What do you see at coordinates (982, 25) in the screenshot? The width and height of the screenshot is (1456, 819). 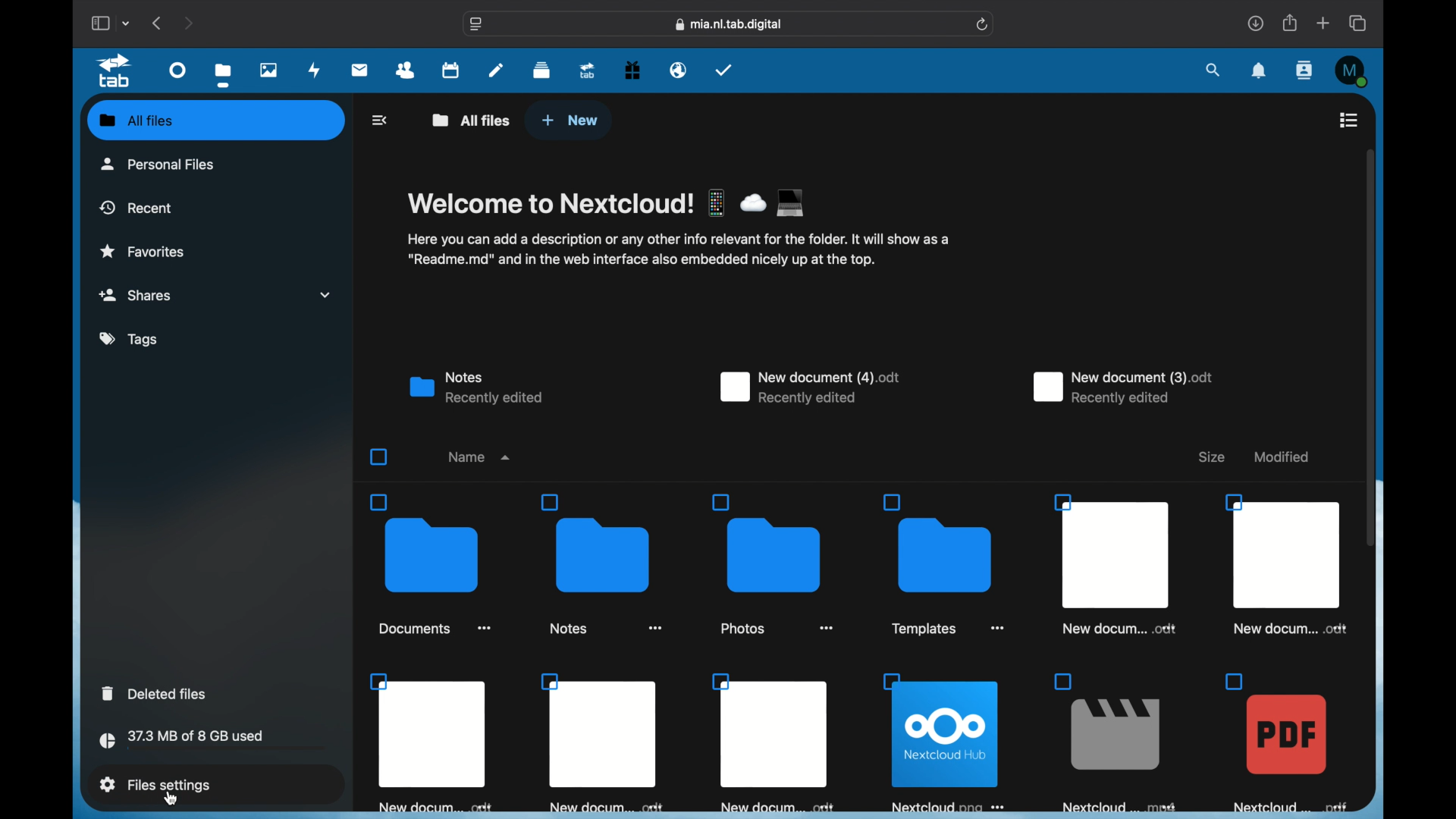 I see `refresh` at bounding box center [982, 25].